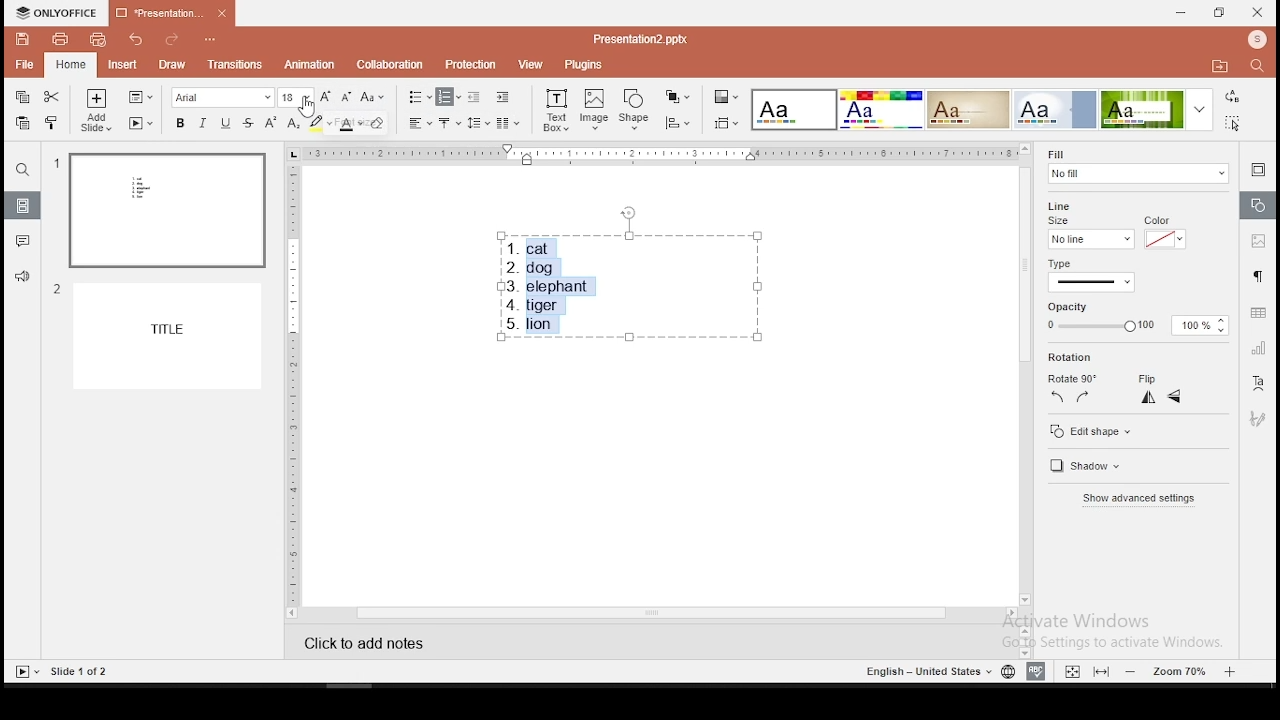 Image resolution: width=1280 pixels, height=720 pixels. Describe the element at coordinates (1156, 110) in the screenshot. I see `theme ` at that location.